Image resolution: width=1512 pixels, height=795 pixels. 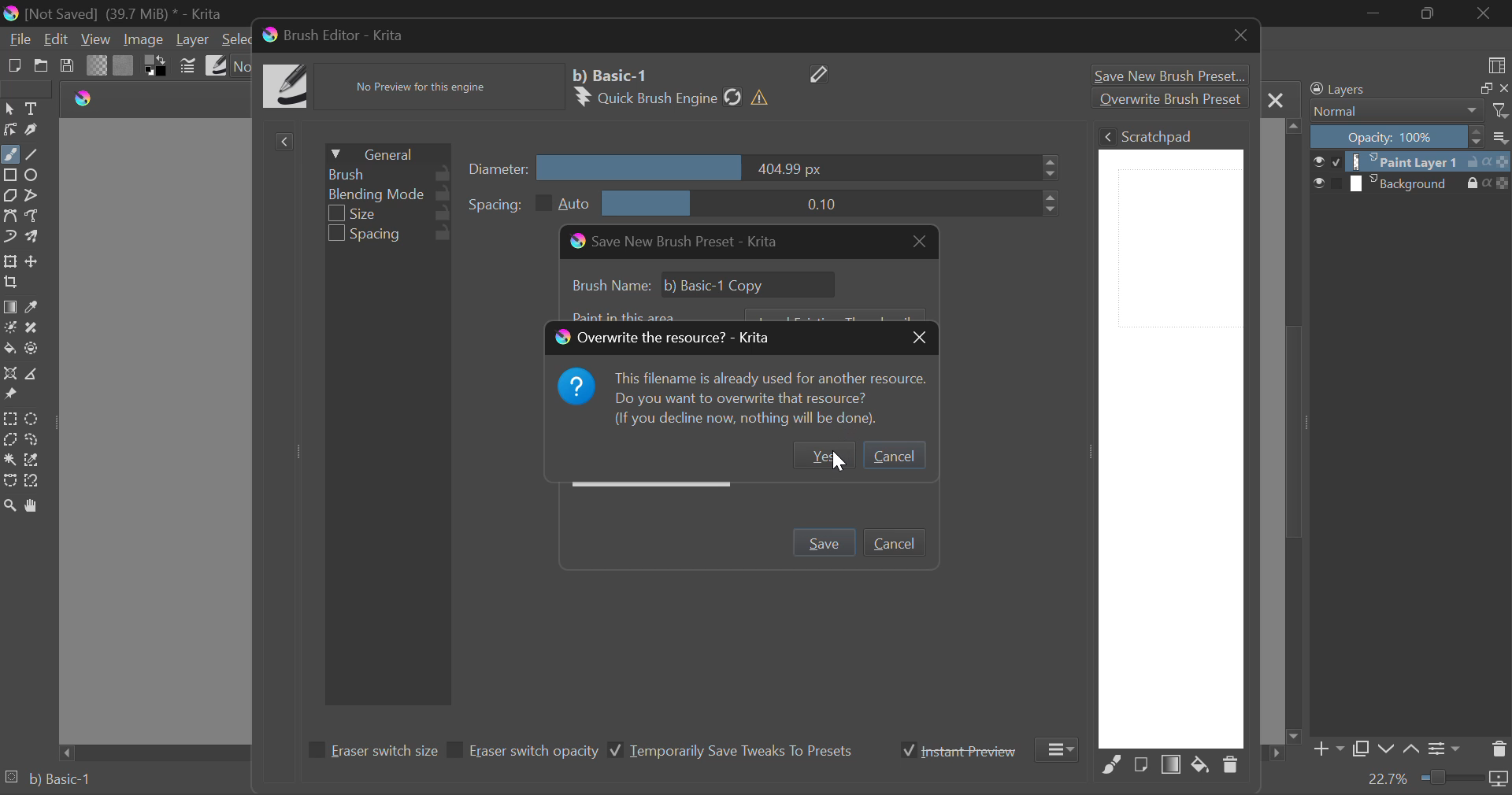 I want to click on Colorize Mask Tool, so click(x=9, y=327).